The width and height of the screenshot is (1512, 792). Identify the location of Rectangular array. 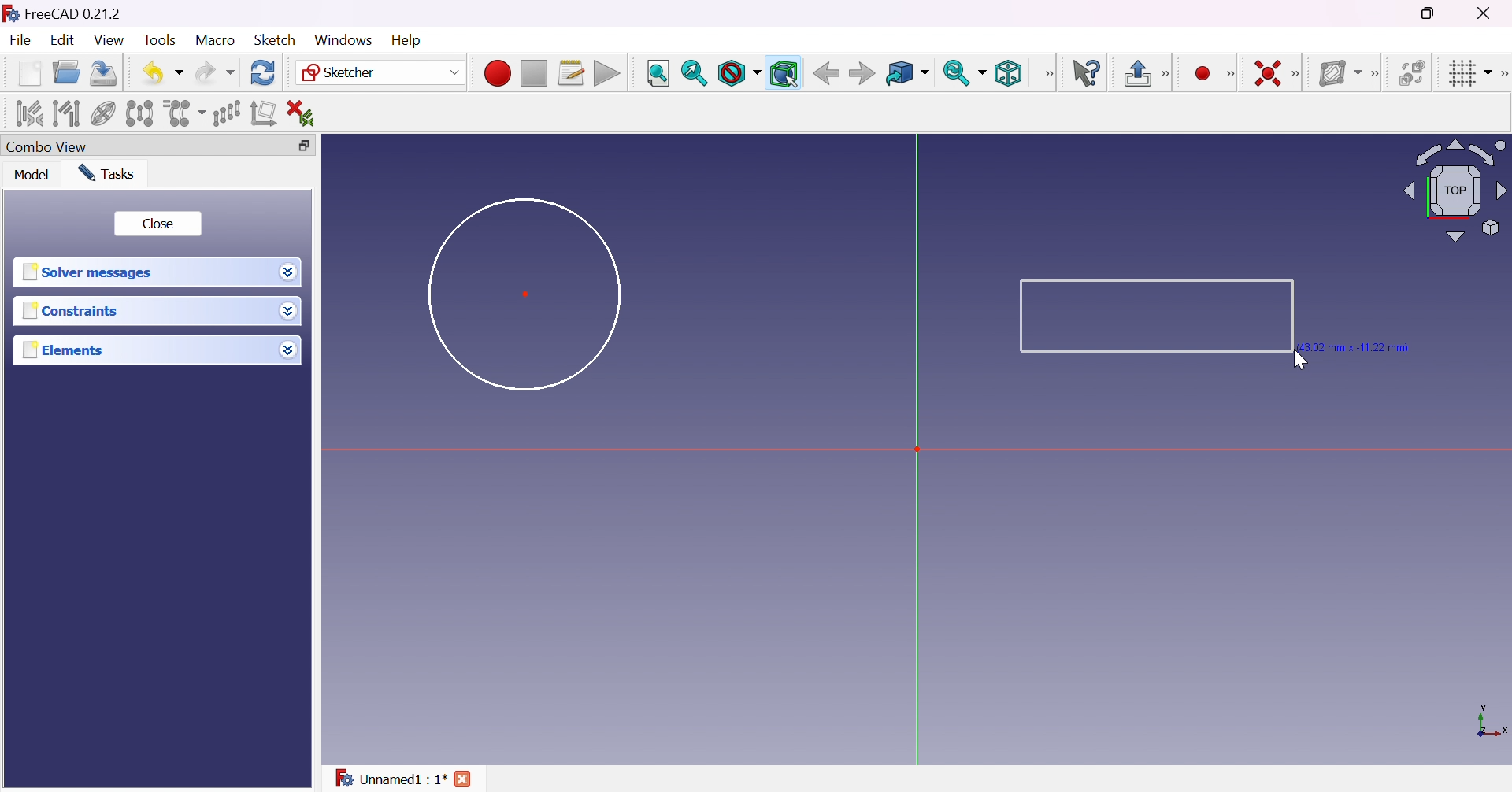
(226, 112).